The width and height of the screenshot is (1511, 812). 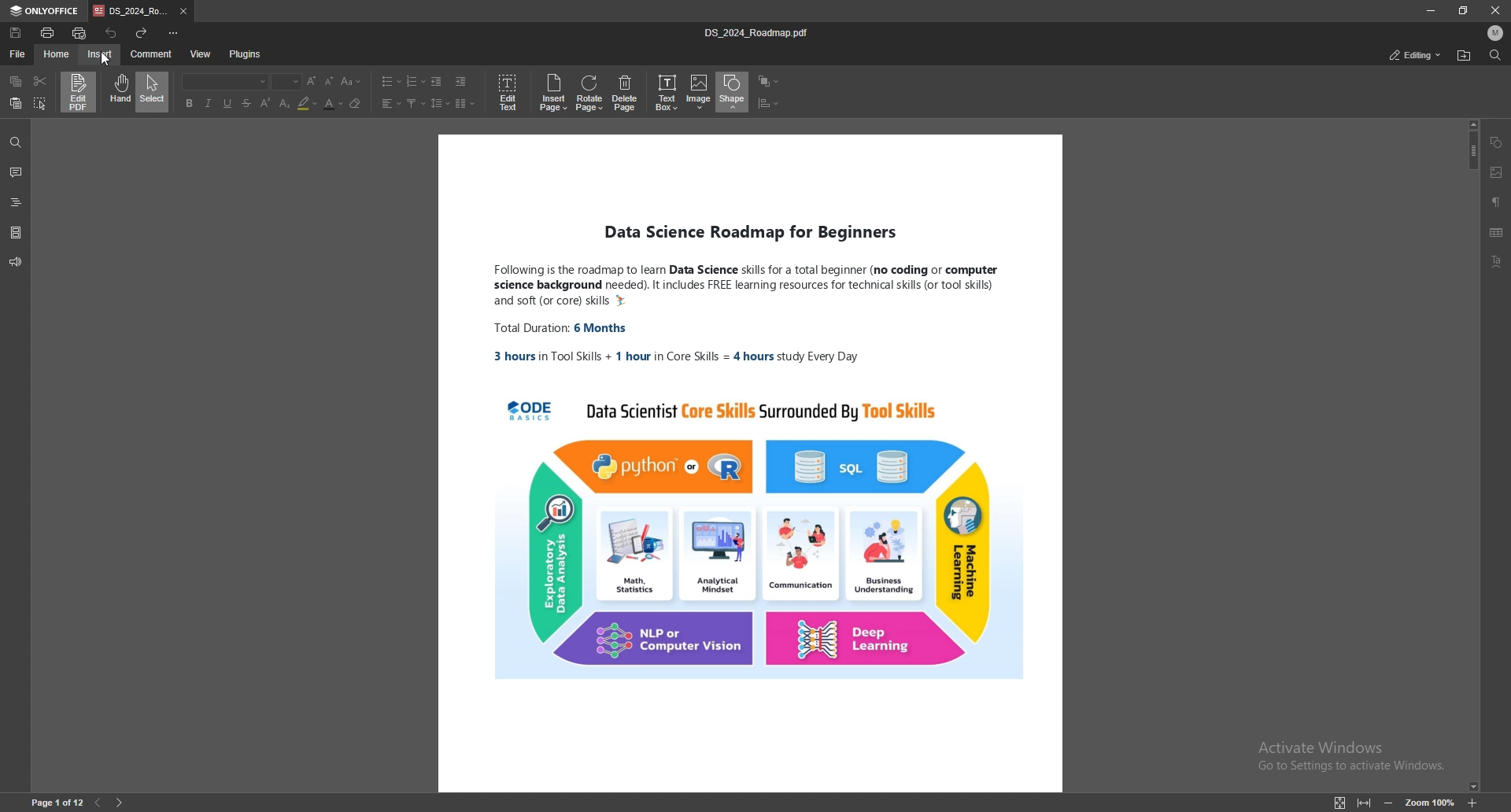 I want to click on insert, so click(x=101, y=54).